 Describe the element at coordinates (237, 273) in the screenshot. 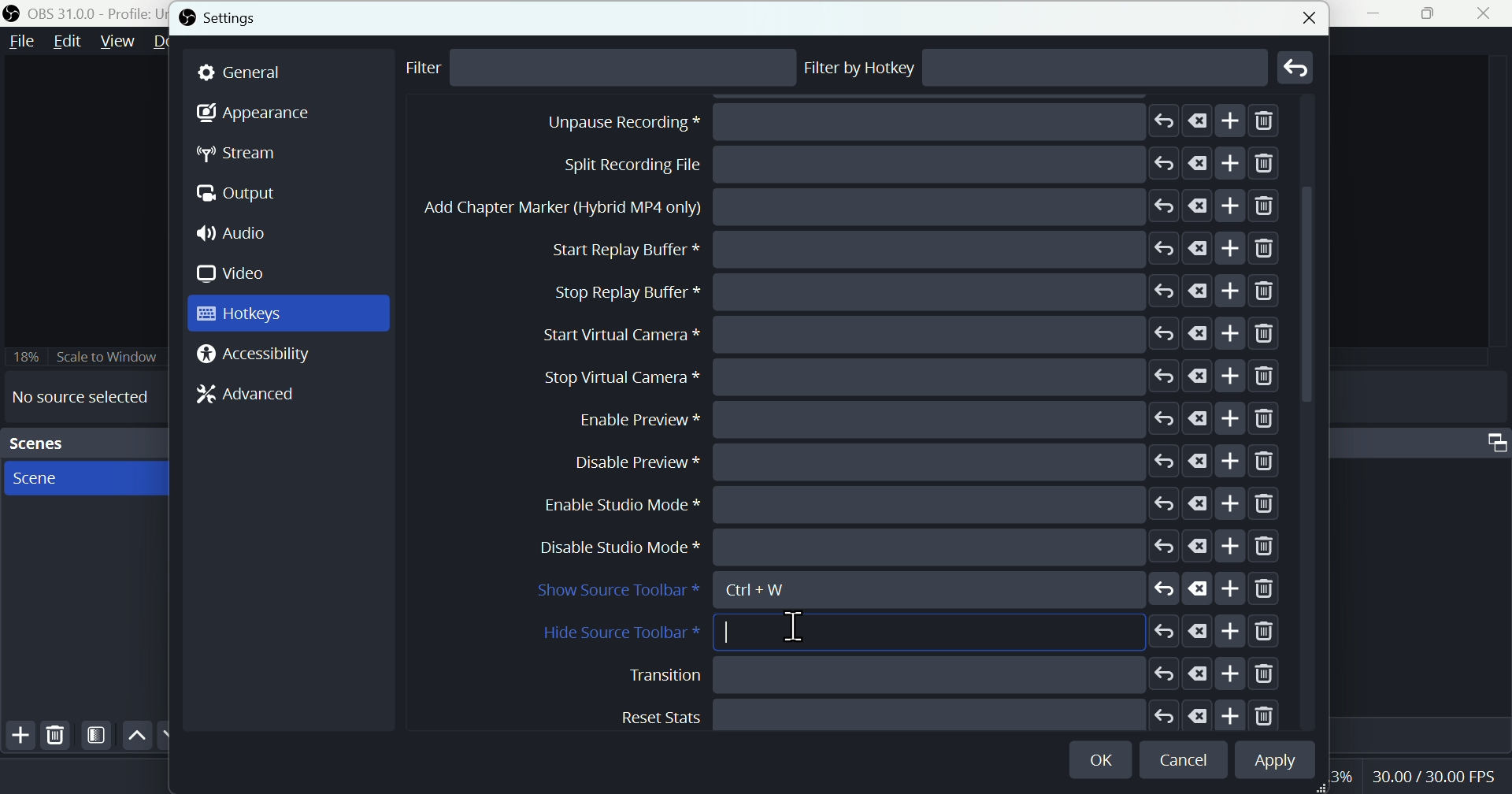

I see `Video` at that location.